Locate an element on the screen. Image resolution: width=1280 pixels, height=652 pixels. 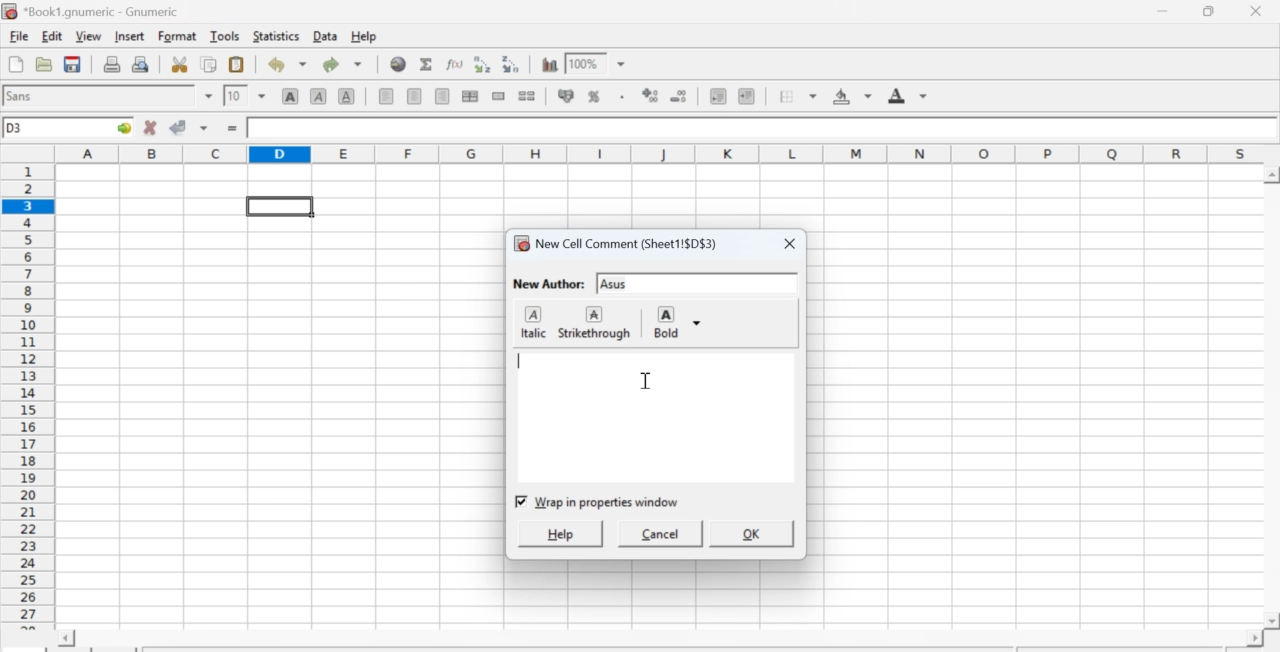
Print is located at coordinates (110, 64).